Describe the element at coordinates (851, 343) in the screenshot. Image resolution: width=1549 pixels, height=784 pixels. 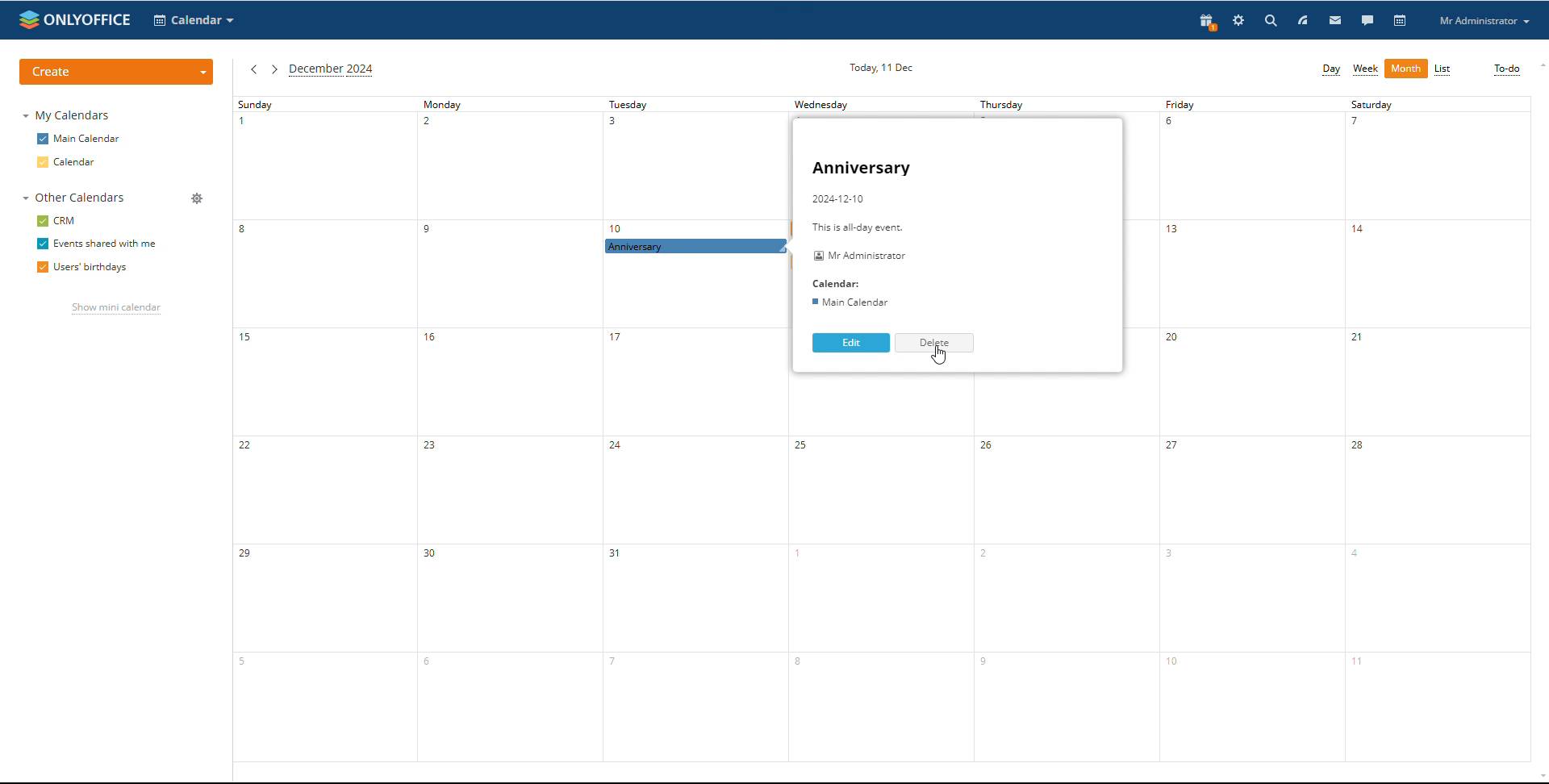
I see `edit` at that location.